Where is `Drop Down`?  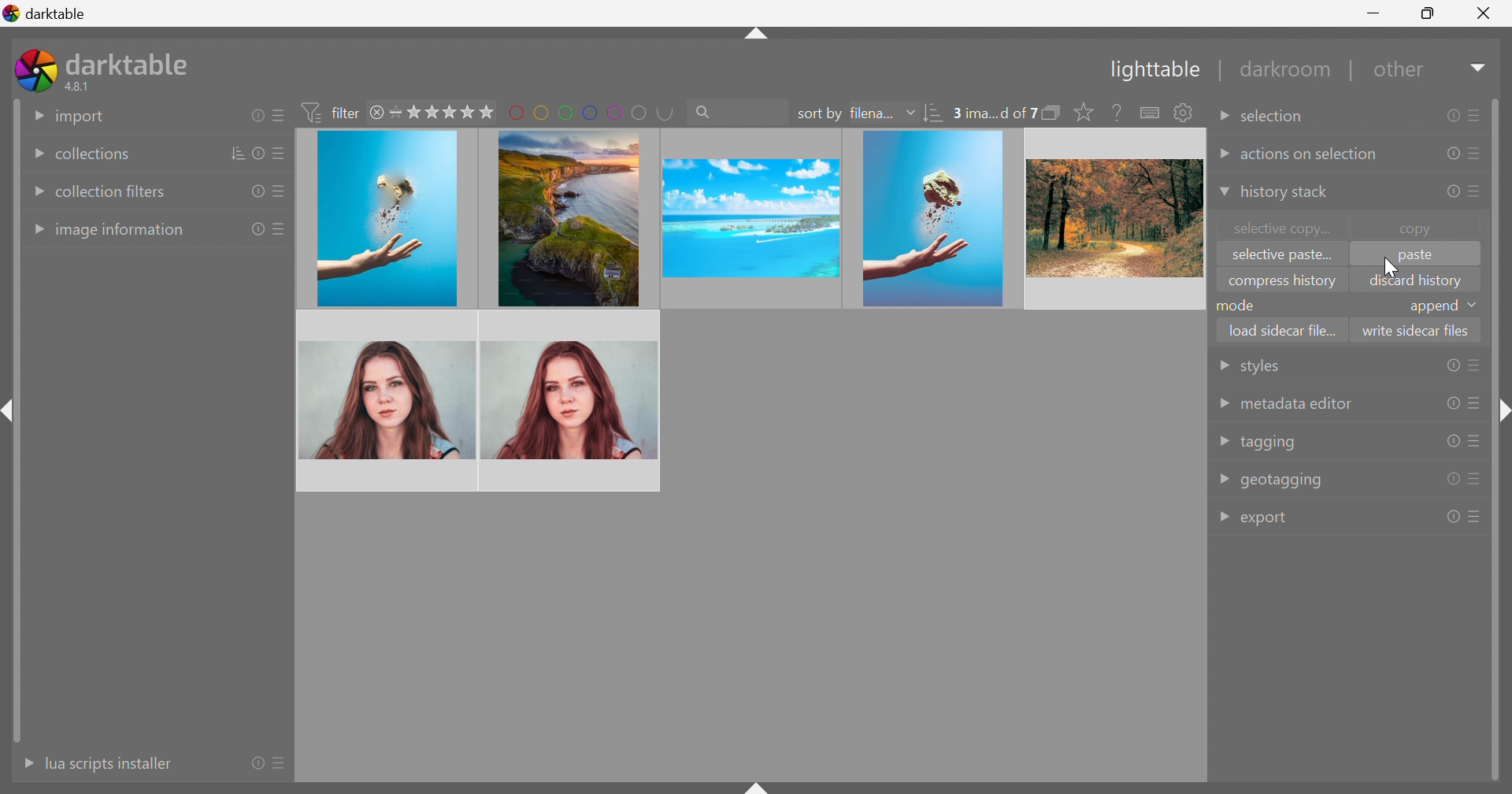 Drop Down is located at coordinates (1480, 67).